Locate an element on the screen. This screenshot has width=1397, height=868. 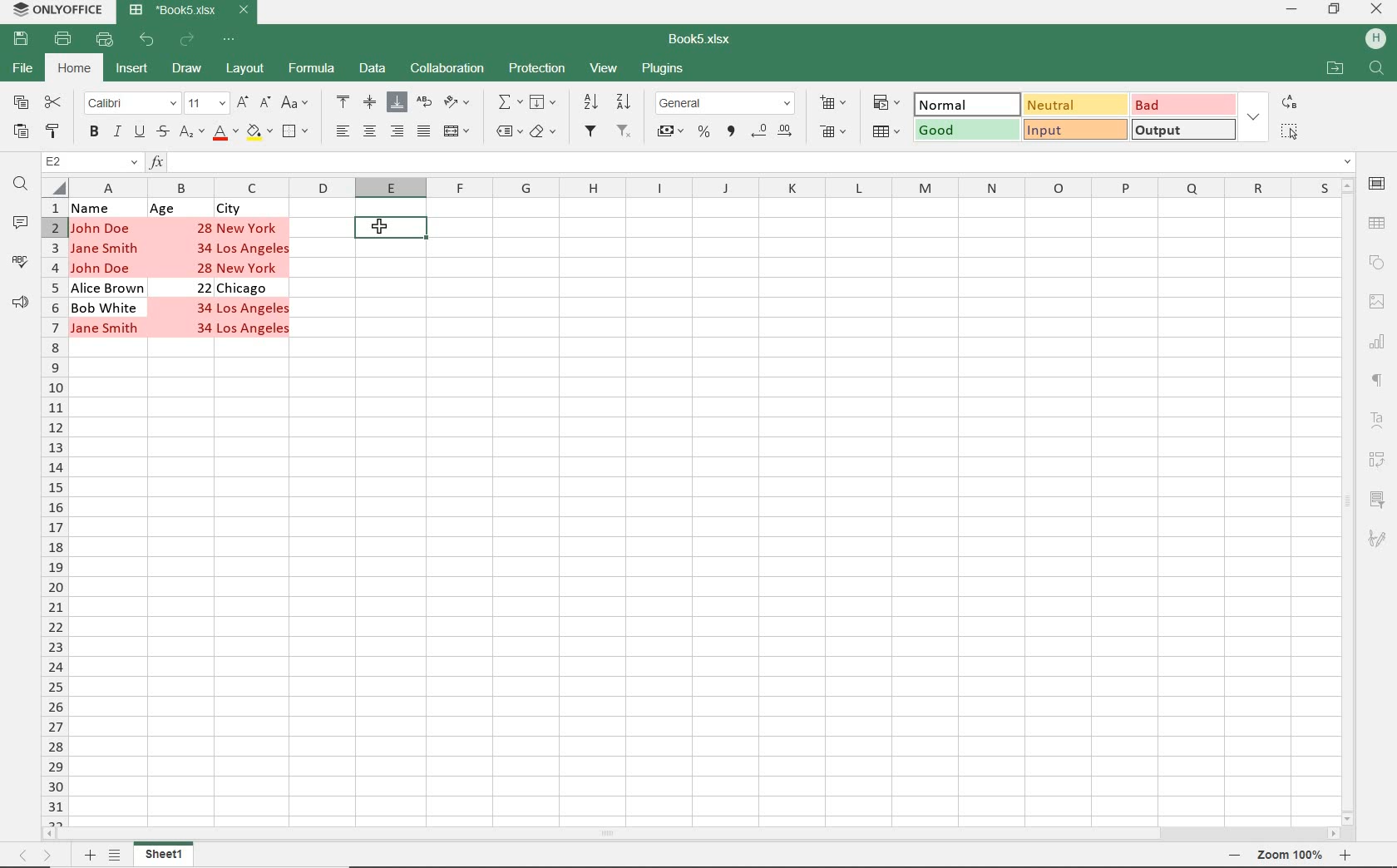
ALIGN MIDDLE is located at coordinates (370, 104).